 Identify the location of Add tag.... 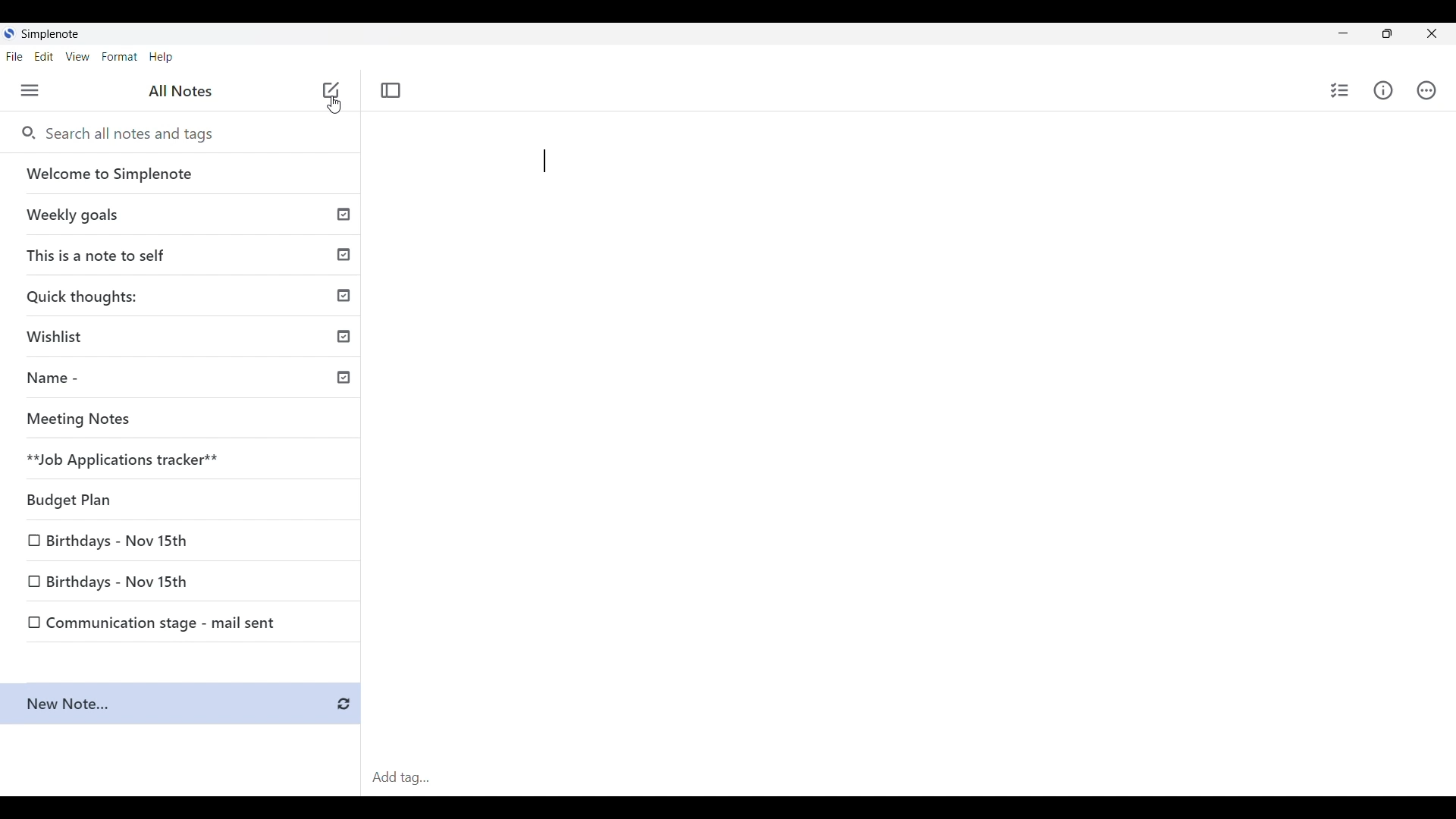
(406, 777).